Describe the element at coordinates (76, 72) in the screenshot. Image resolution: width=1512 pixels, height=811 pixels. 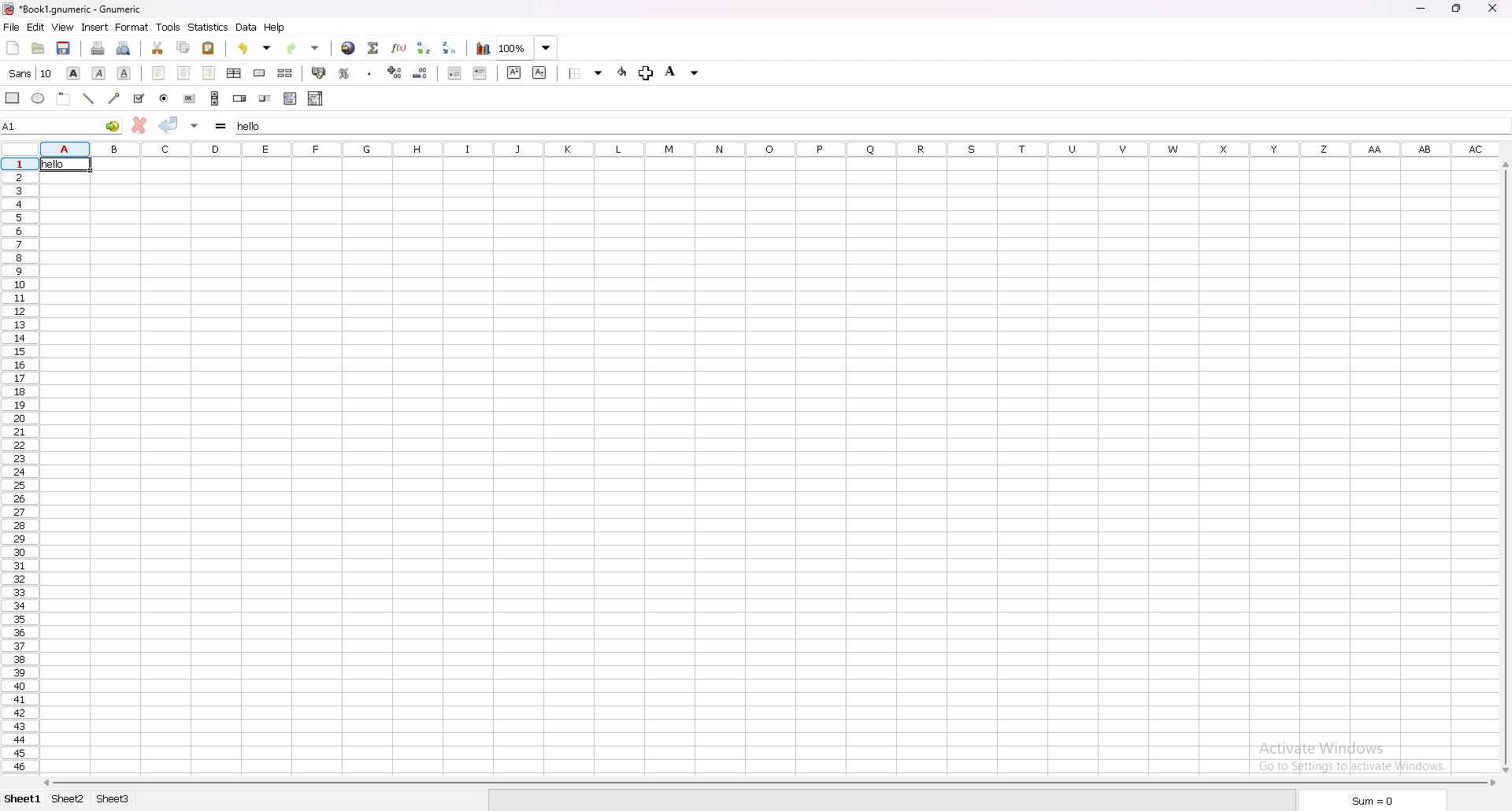
I see `bold` at that location.